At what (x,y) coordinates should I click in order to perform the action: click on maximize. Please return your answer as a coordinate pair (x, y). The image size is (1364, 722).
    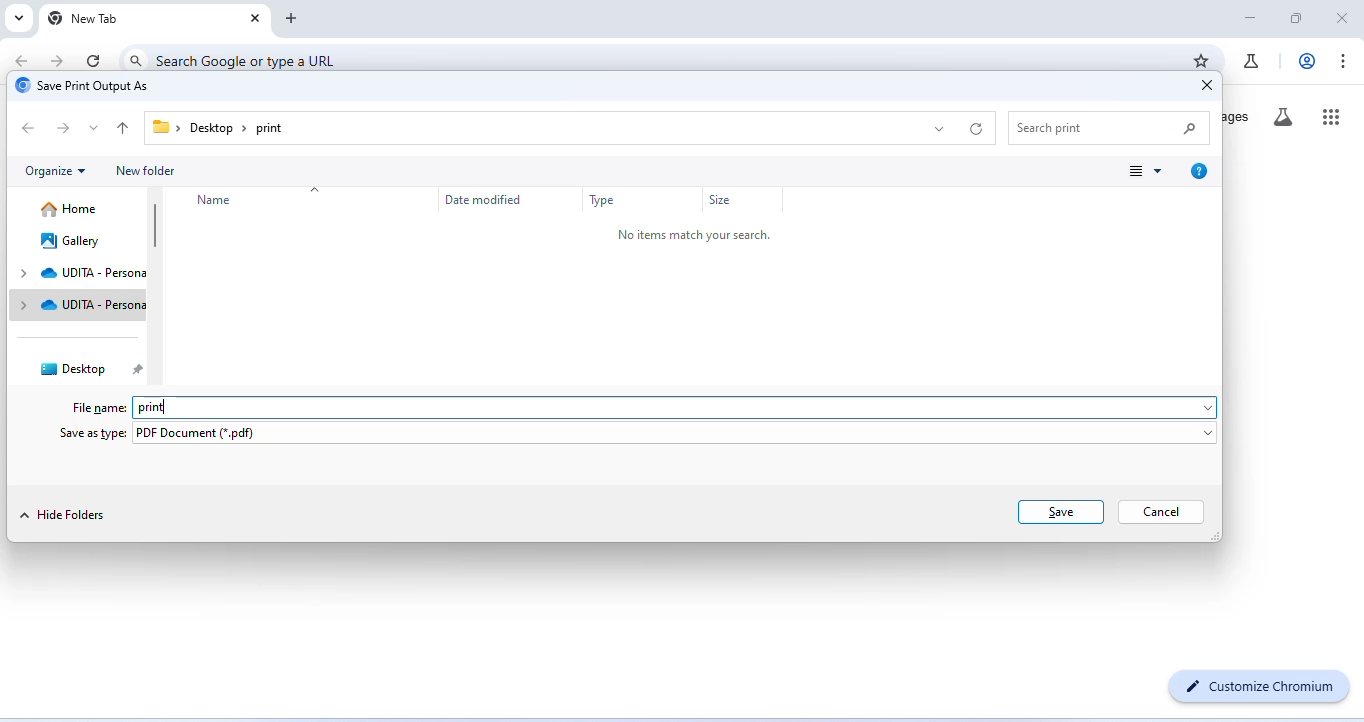
    Looking at the image, I should click on (1295, 19).